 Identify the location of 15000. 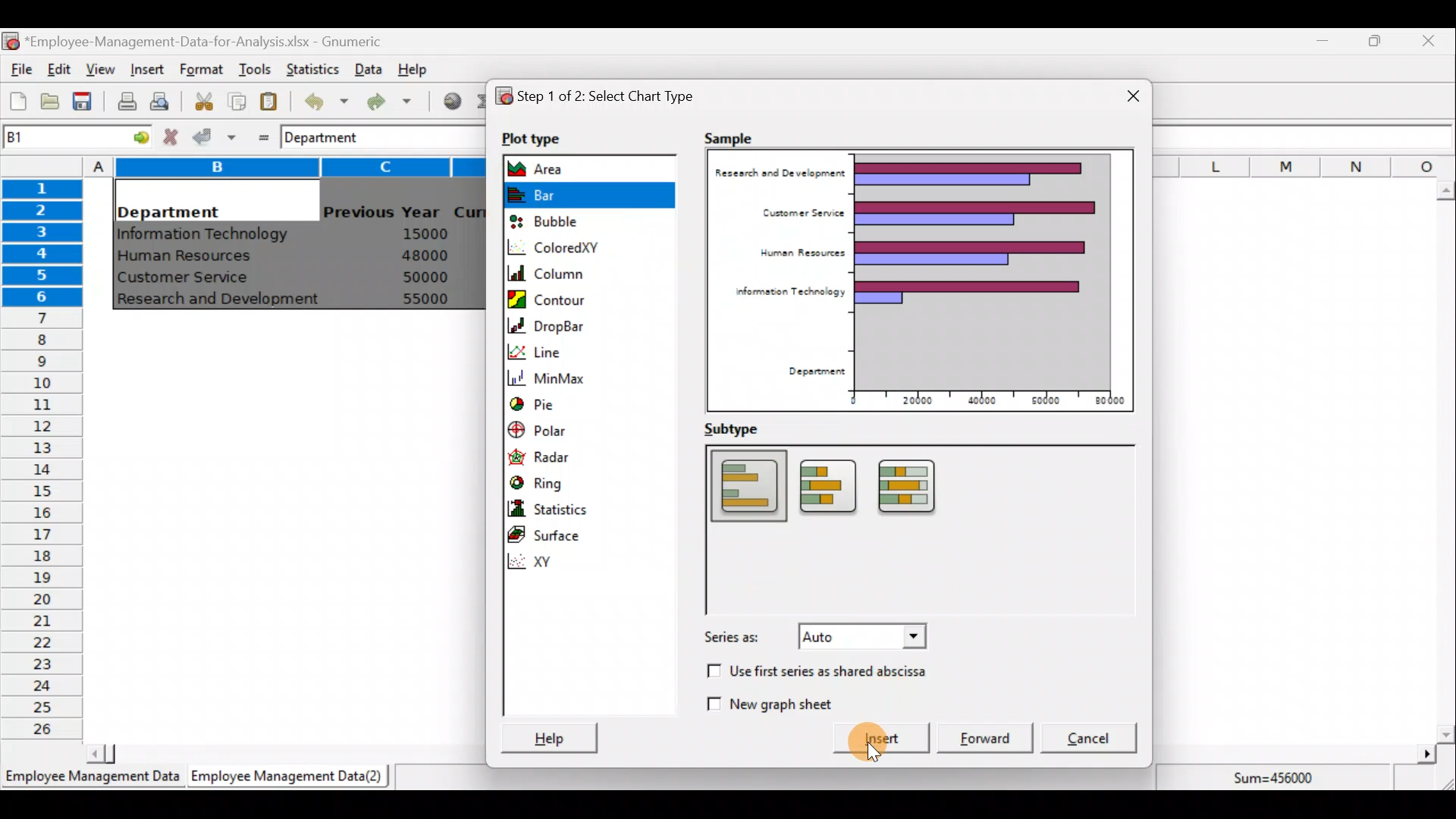
(419, 233).